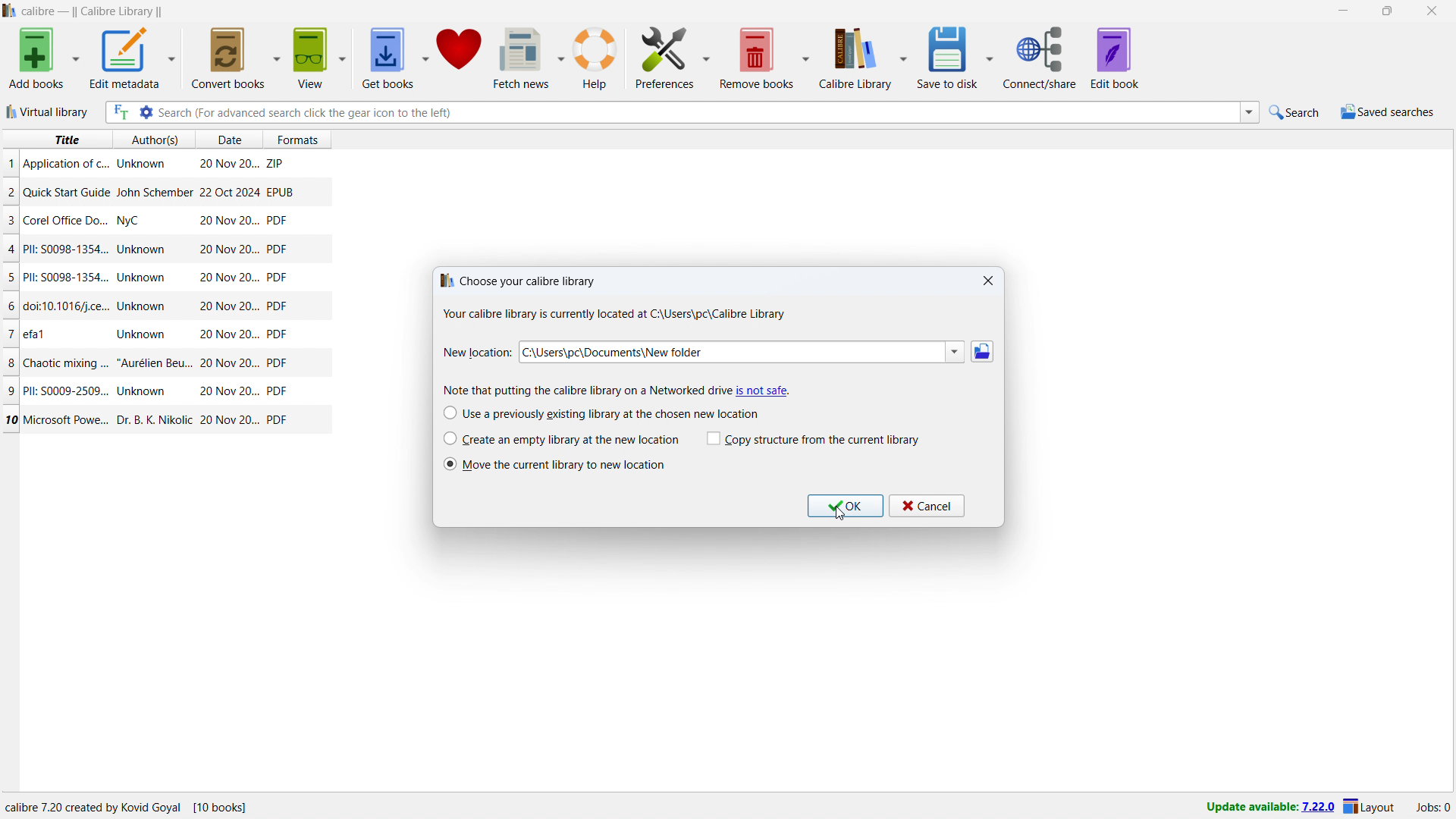  I want to click on get books options, so click(425, 58).